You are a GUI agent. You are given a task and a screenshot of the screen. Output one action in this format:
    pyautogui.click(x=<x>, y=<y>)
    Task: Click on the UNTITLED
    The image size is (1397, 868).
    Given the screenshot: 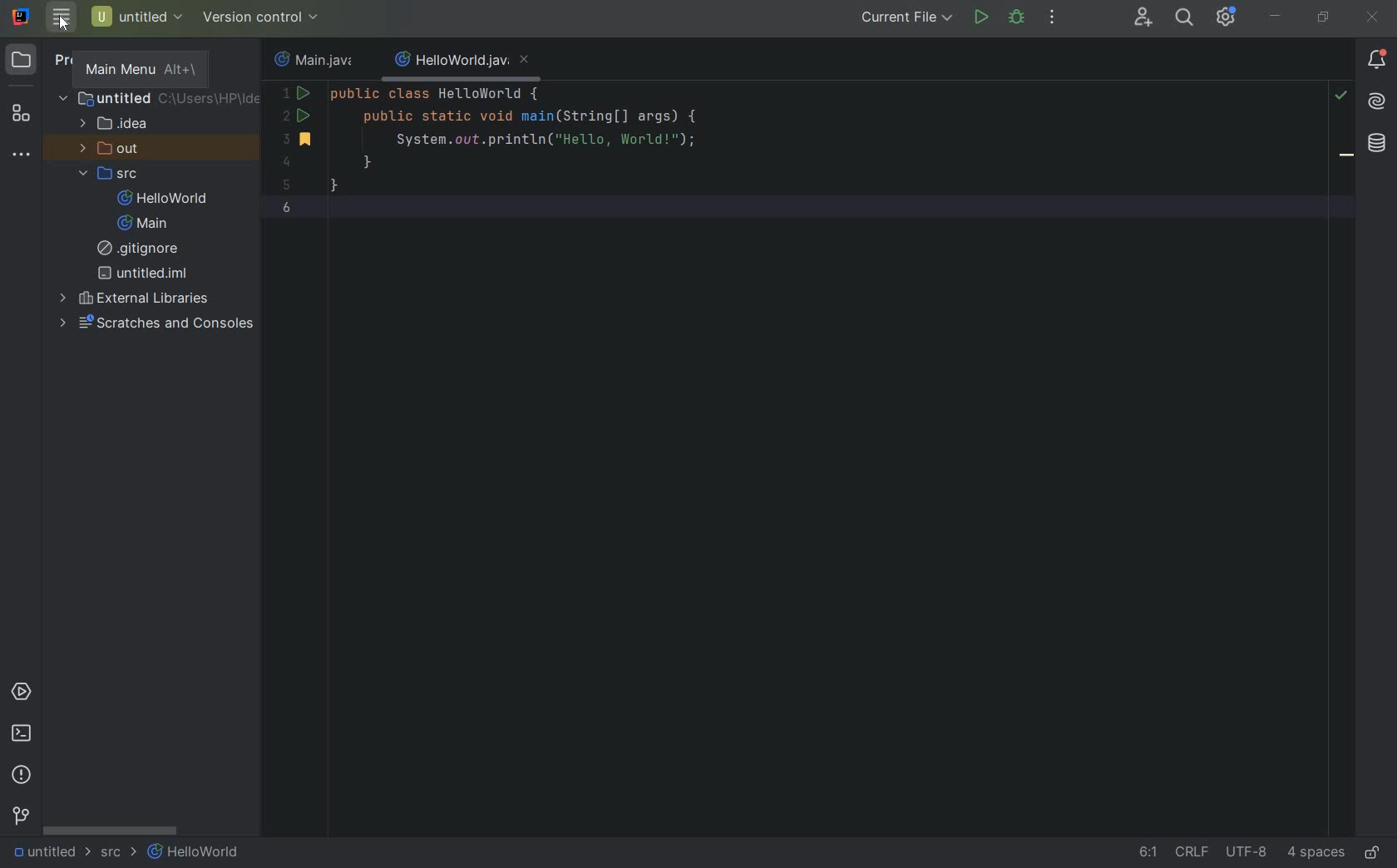 What is the action you would take?
    pyautogui.click(x=144, y=273)
    